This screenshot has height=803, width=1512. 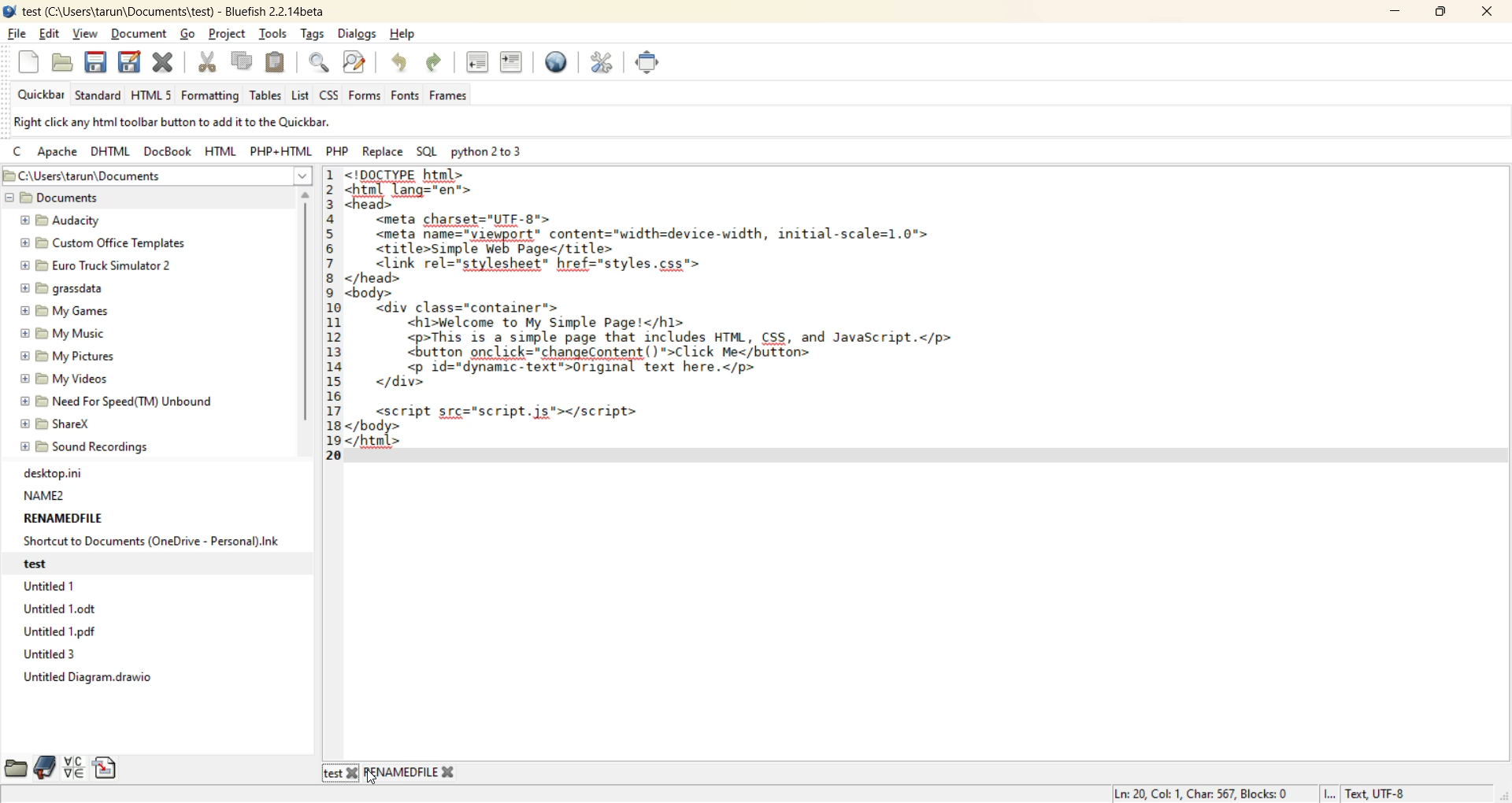 What do you see at coordinates (35, 565) in the screenshot?
I see `test` at bounding box center [35, 565].